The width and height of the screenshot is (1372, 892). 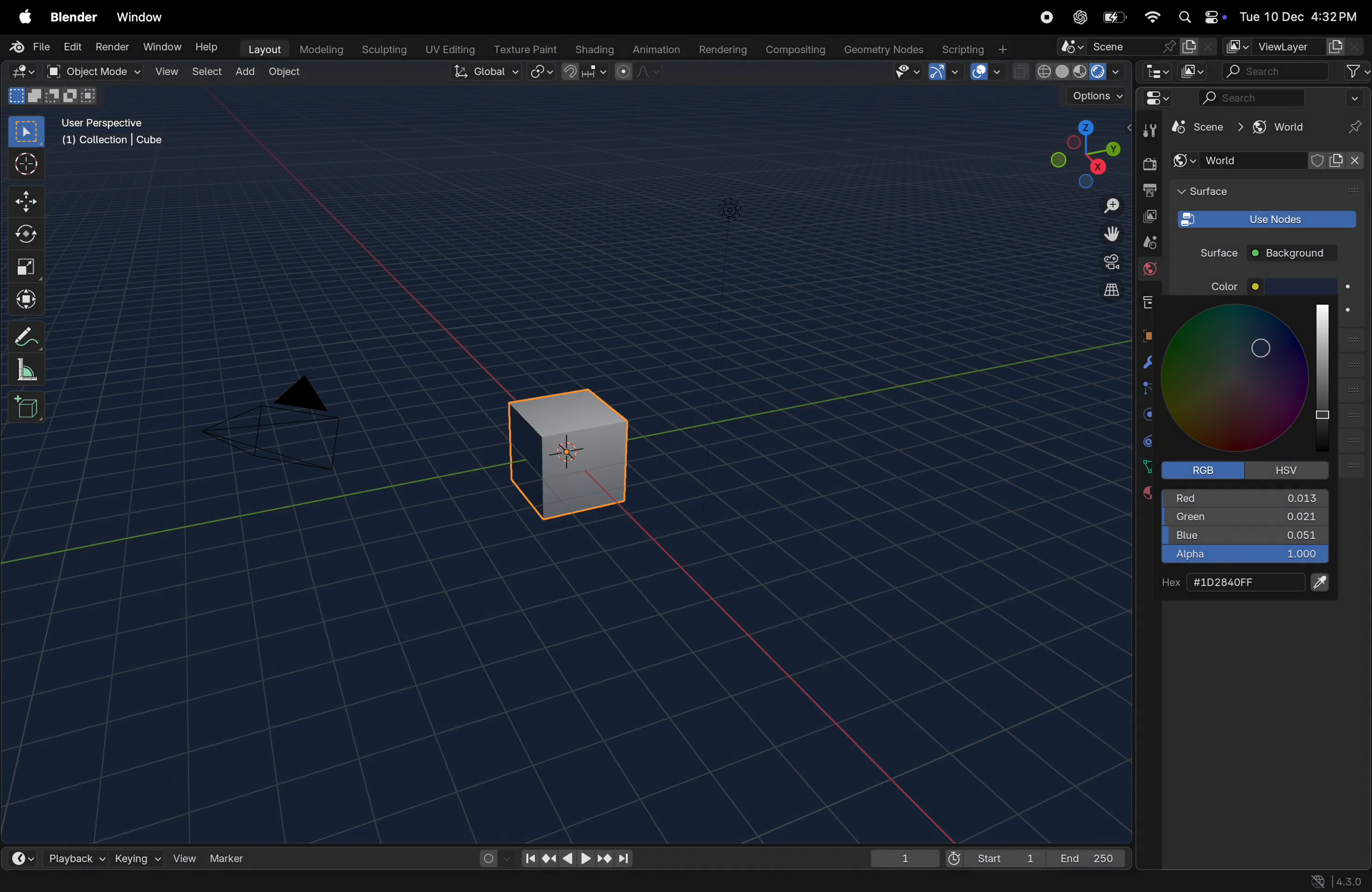 I want to click on camera, so click(x=285, y=424).